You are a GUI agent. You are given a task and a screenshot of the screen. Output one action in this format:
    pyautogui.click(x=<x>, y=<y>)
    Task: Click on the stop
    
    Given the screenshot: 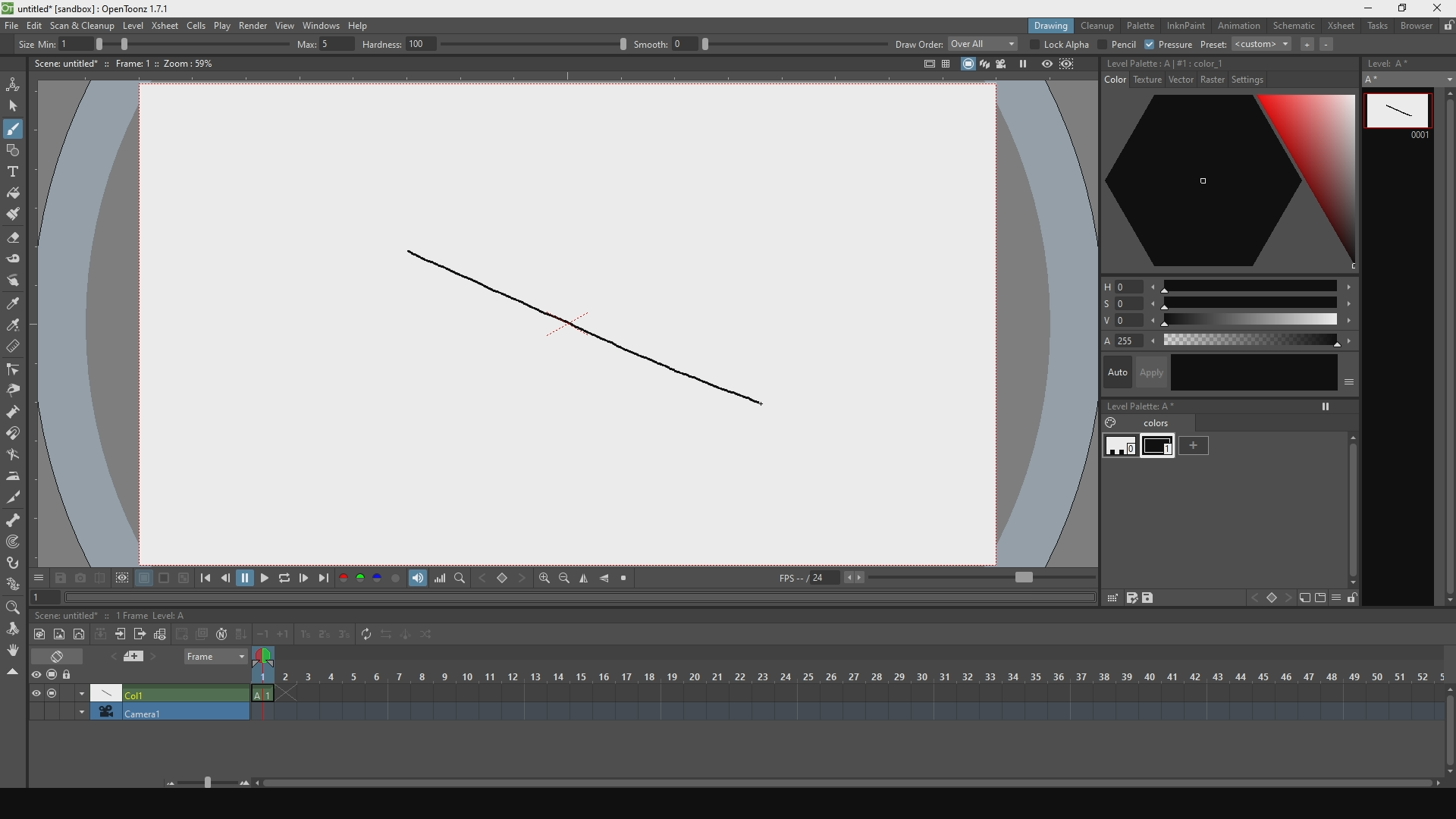 What is the action you would take?
    pyautogui.click(x=56, y=674)
    